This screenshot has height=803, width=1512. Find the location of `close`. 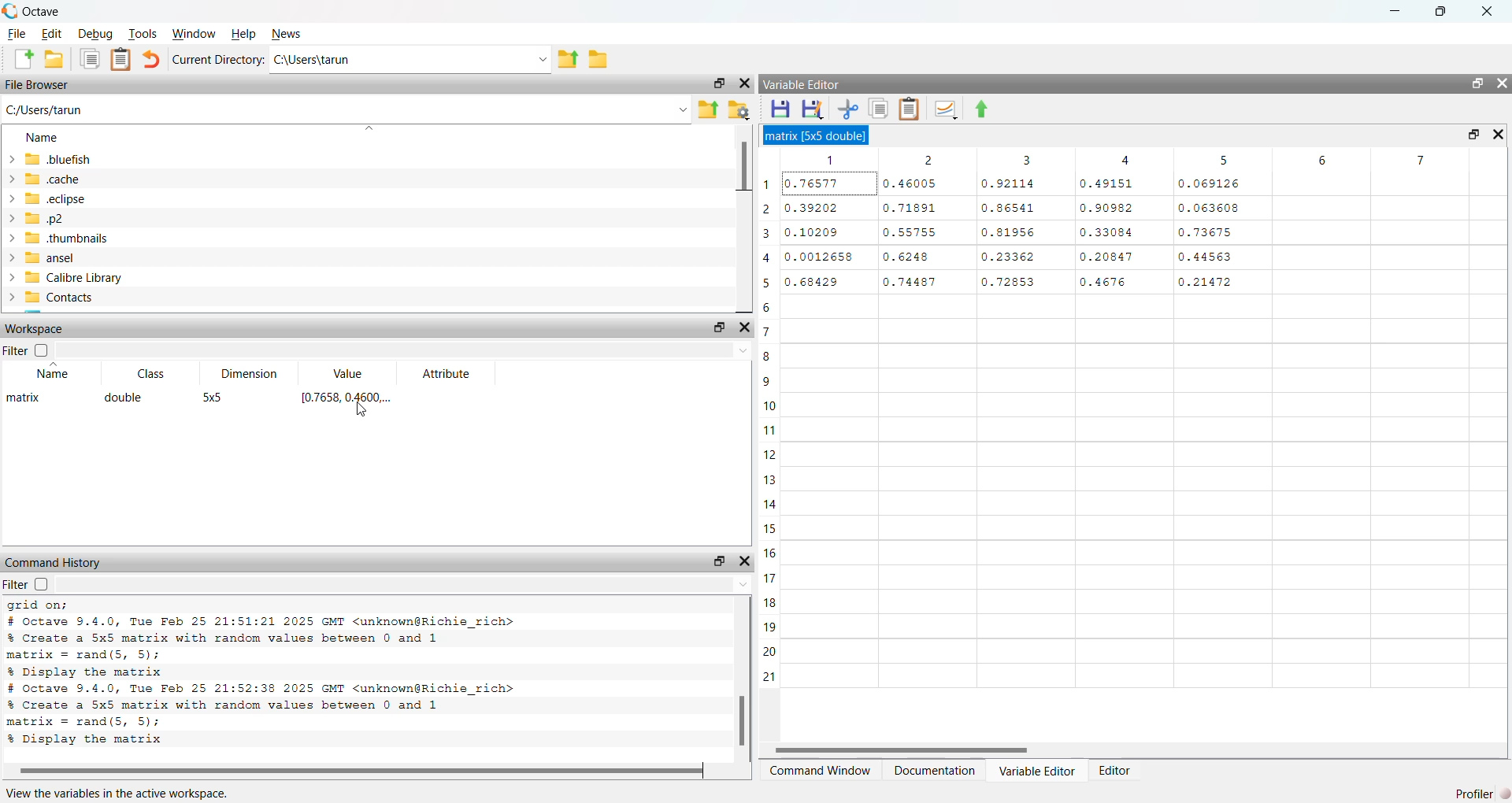

close is located at coordinates (1495, 134).